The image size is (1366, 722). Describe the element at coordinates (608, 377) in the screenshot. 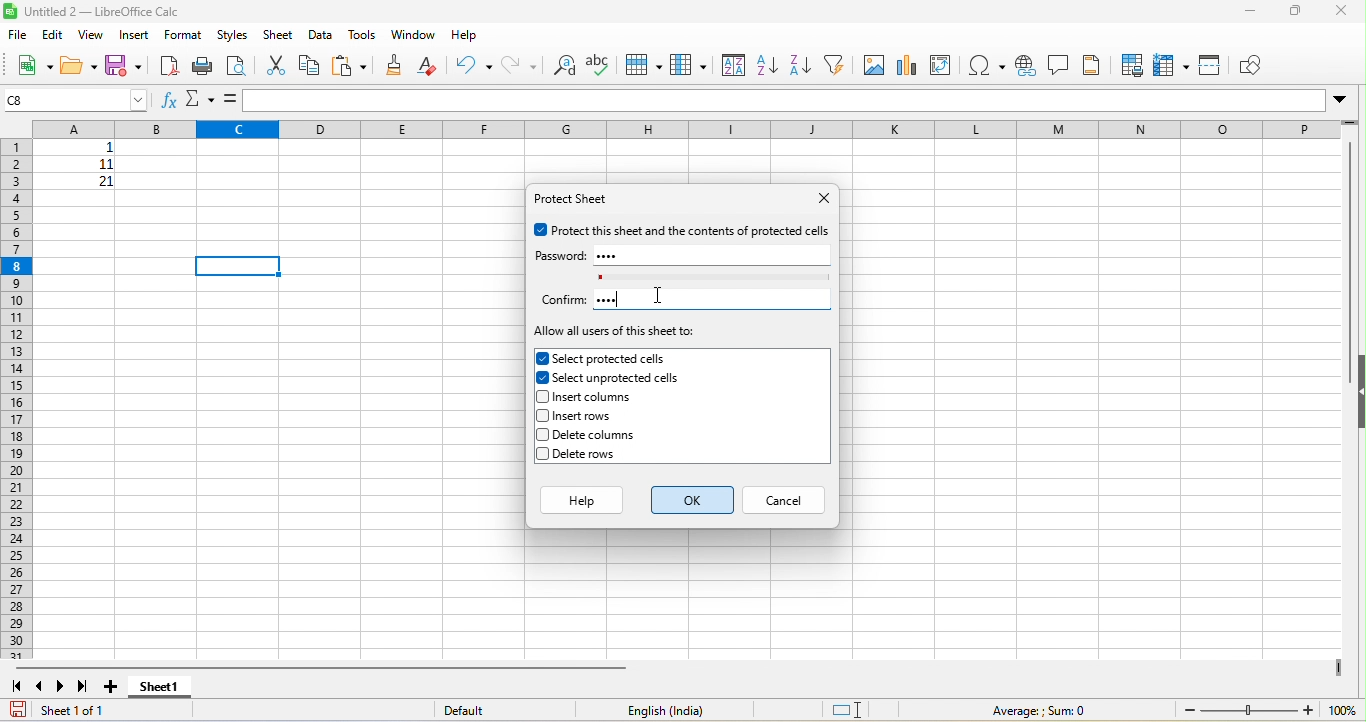

I see `selected unprotected cells` at that location.